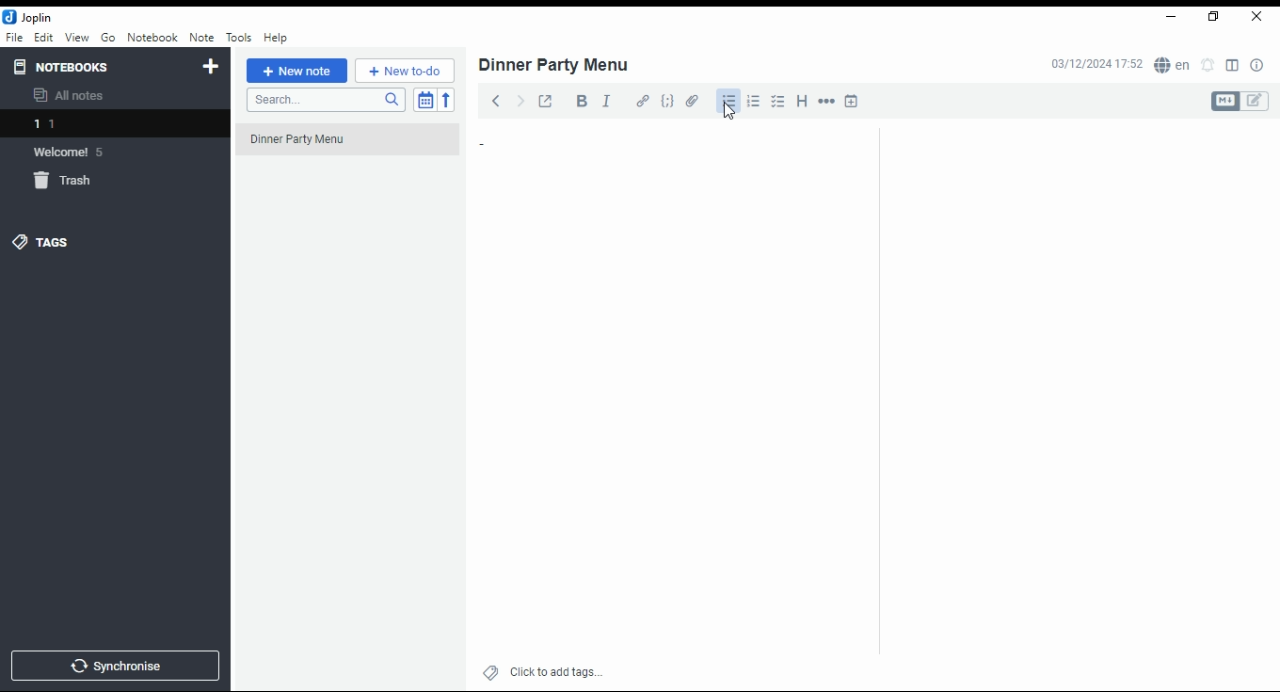 The width and height of the screenshot is (1280, 692). I want to click on bullet list, so click(731, 101).